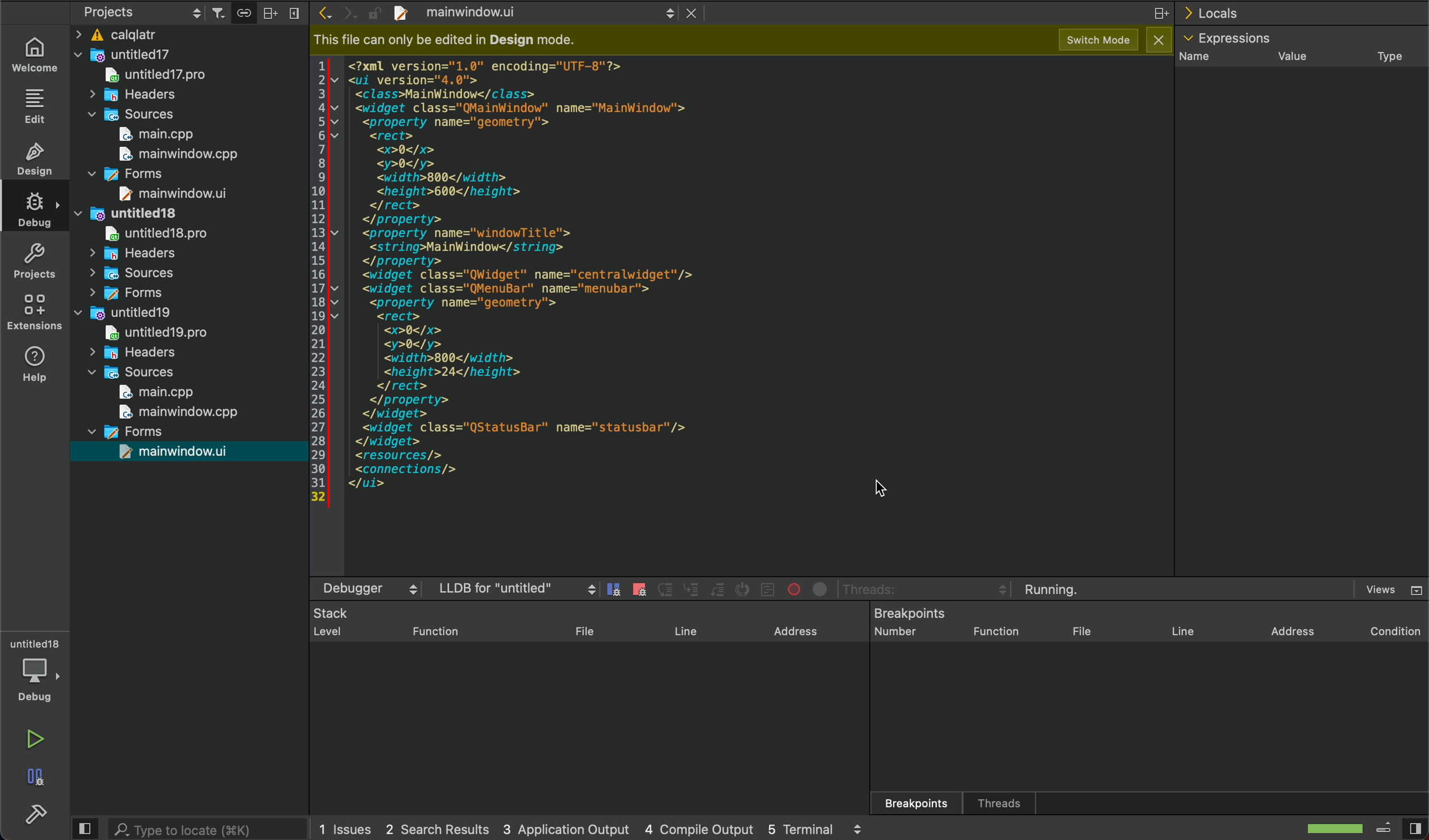 Image resolution: width=1429 pixels, height=840 pixels. I want to click on loader, so click(1338, 829).